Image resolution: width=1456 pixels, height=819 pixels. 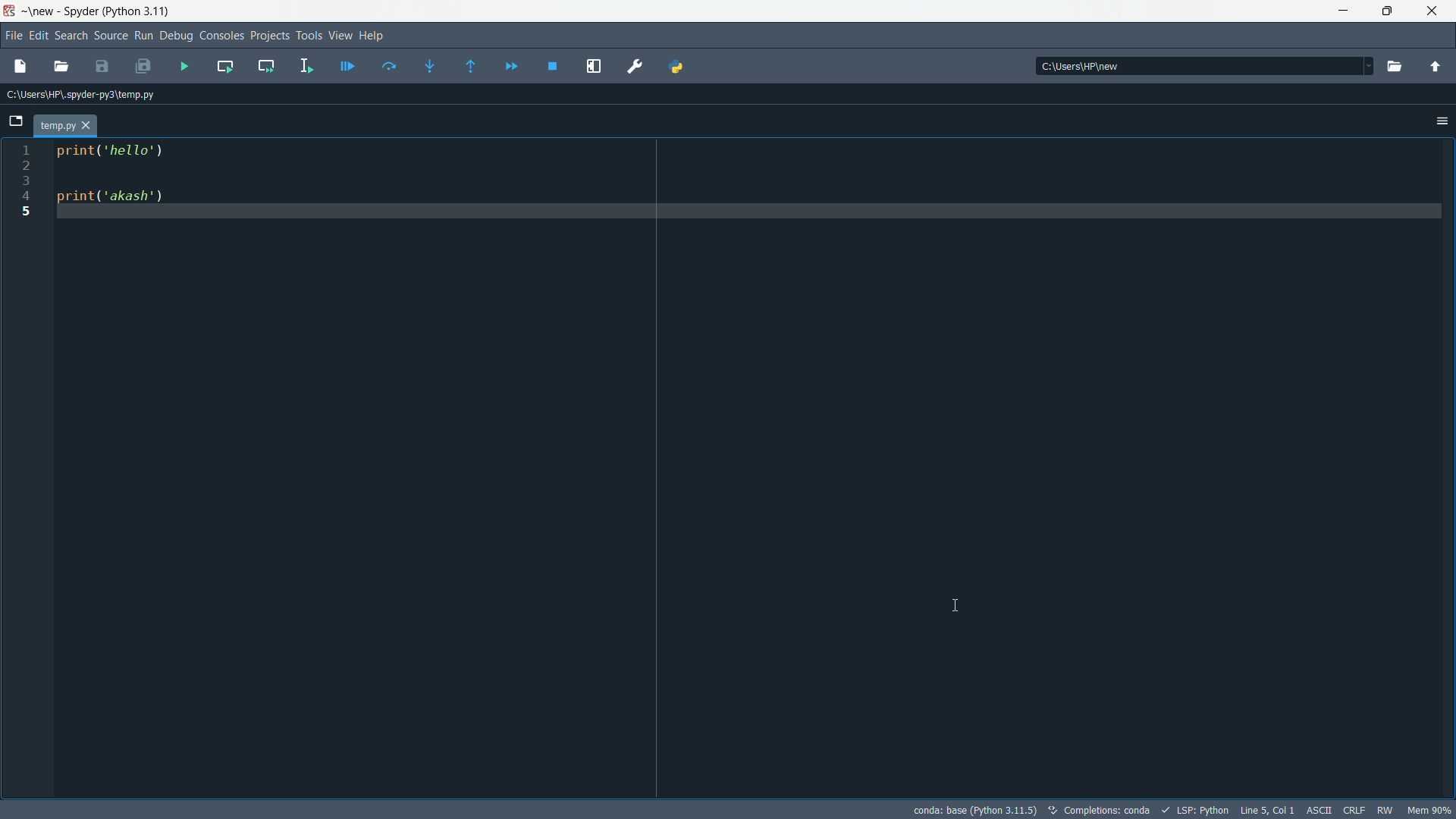 I want to click on line numbers, so click(x=27, y=182).